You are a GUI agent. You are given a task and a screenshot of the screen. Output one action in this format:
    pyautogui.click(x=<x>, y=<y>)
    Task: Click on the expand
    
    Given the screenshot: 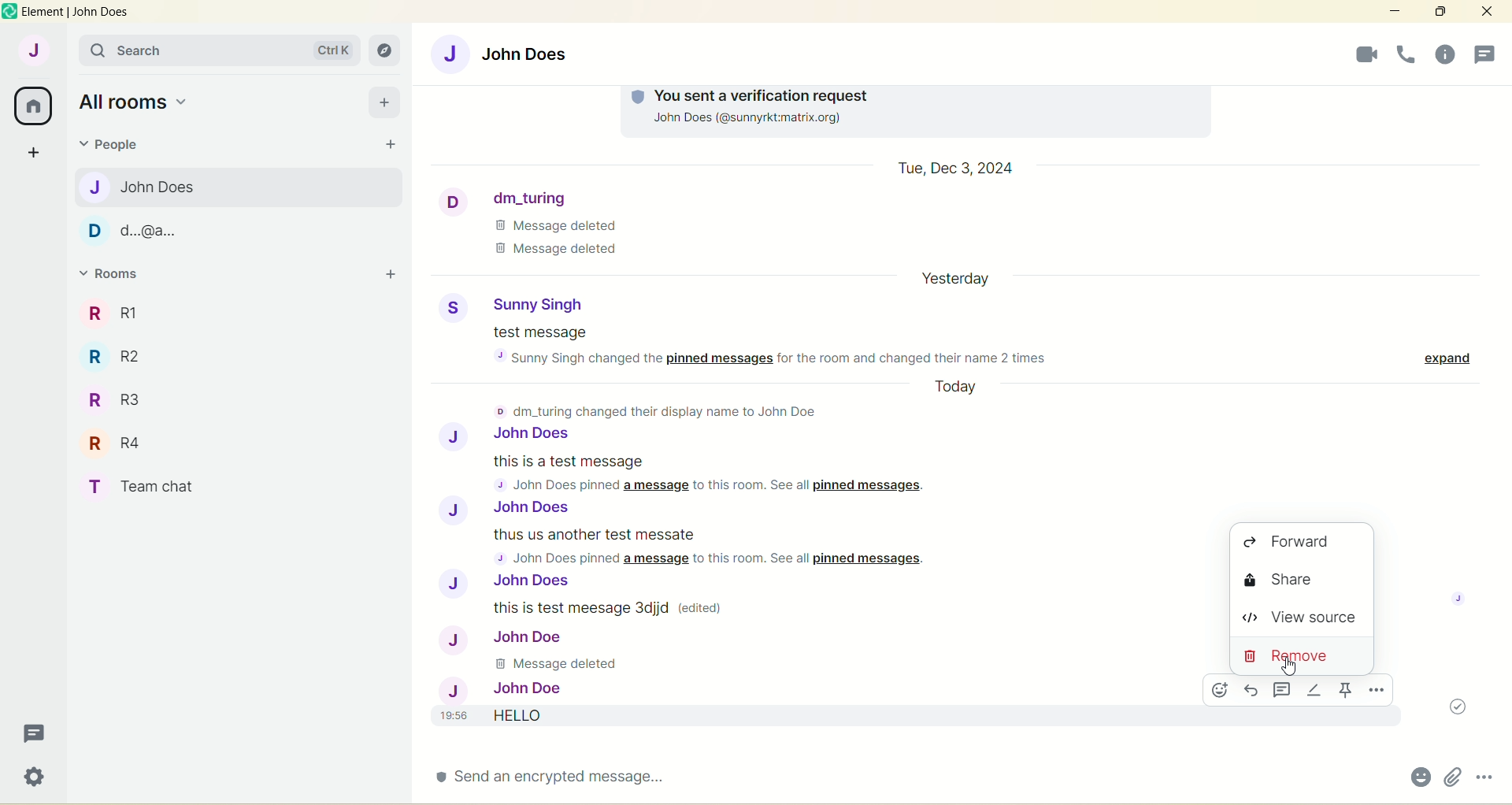 What is the action you would take?
    pyautogui.click(x=1440, y=358)
    